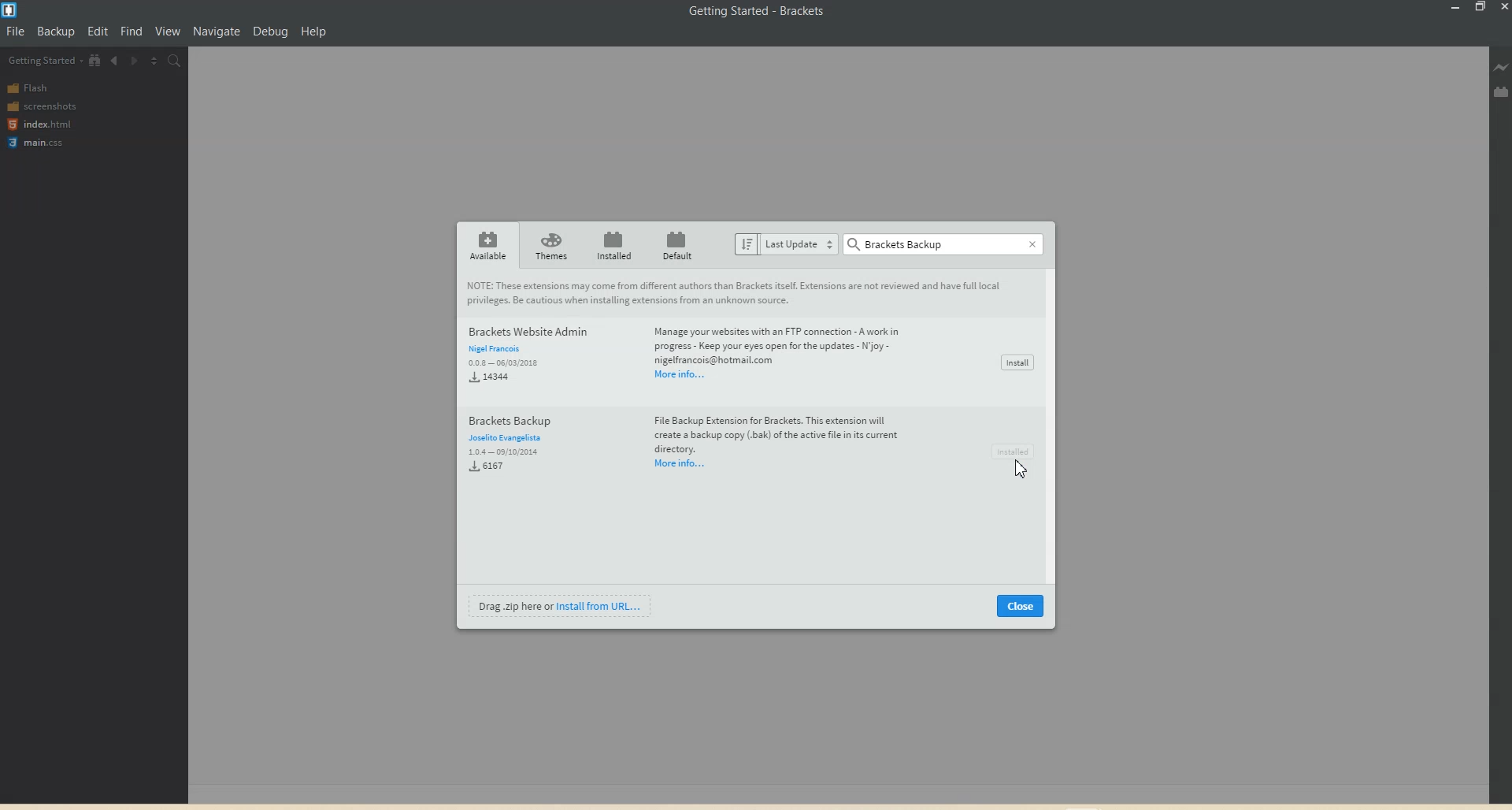 The image size is (1512, 810). What do you see at coordinates (1480, 8) in the screenshot?
I see `Maximize` at bounding box center [1480, 8].